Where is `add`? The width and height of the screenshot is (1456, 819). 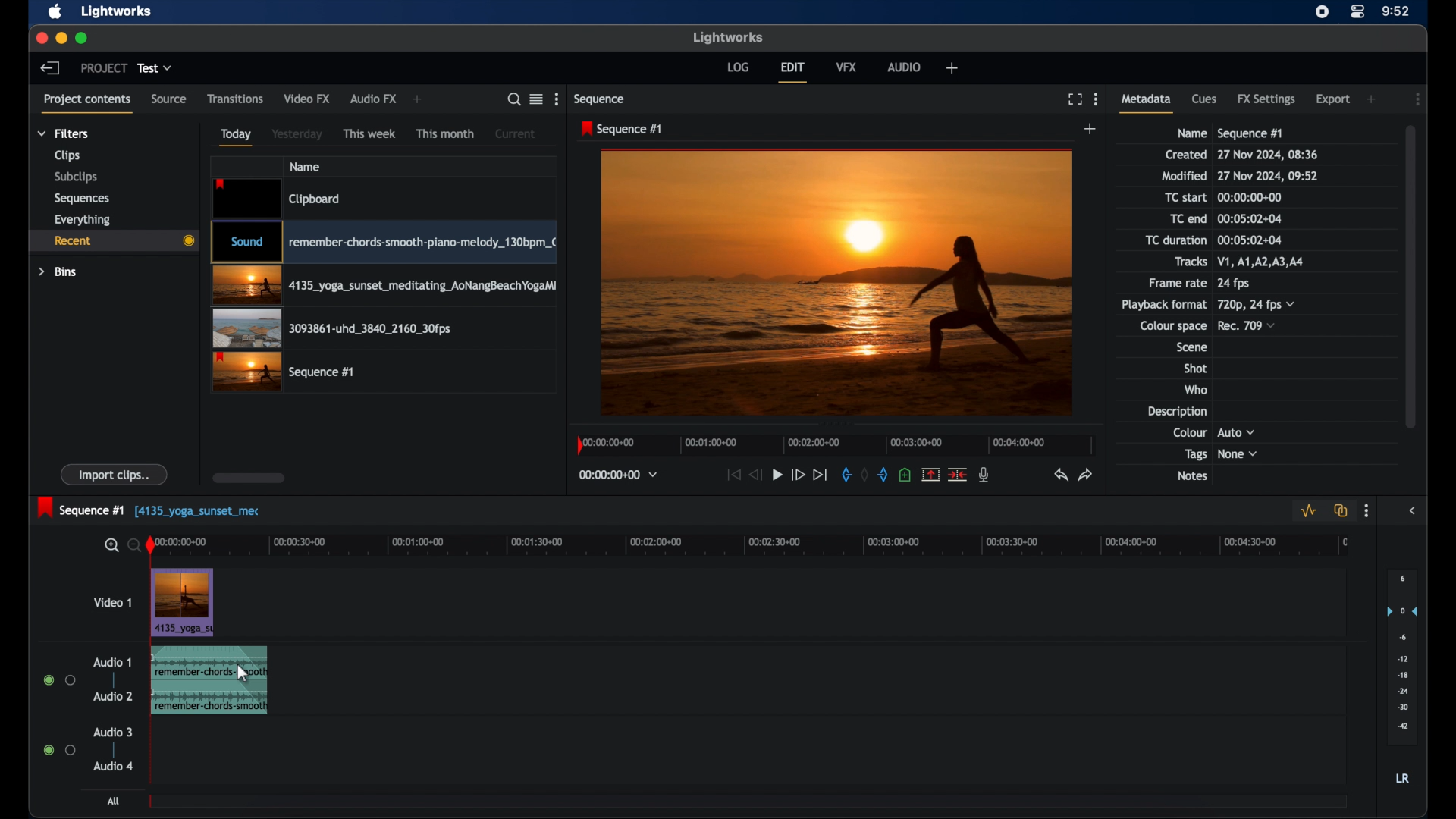 add is located at coordinates (952, 68).